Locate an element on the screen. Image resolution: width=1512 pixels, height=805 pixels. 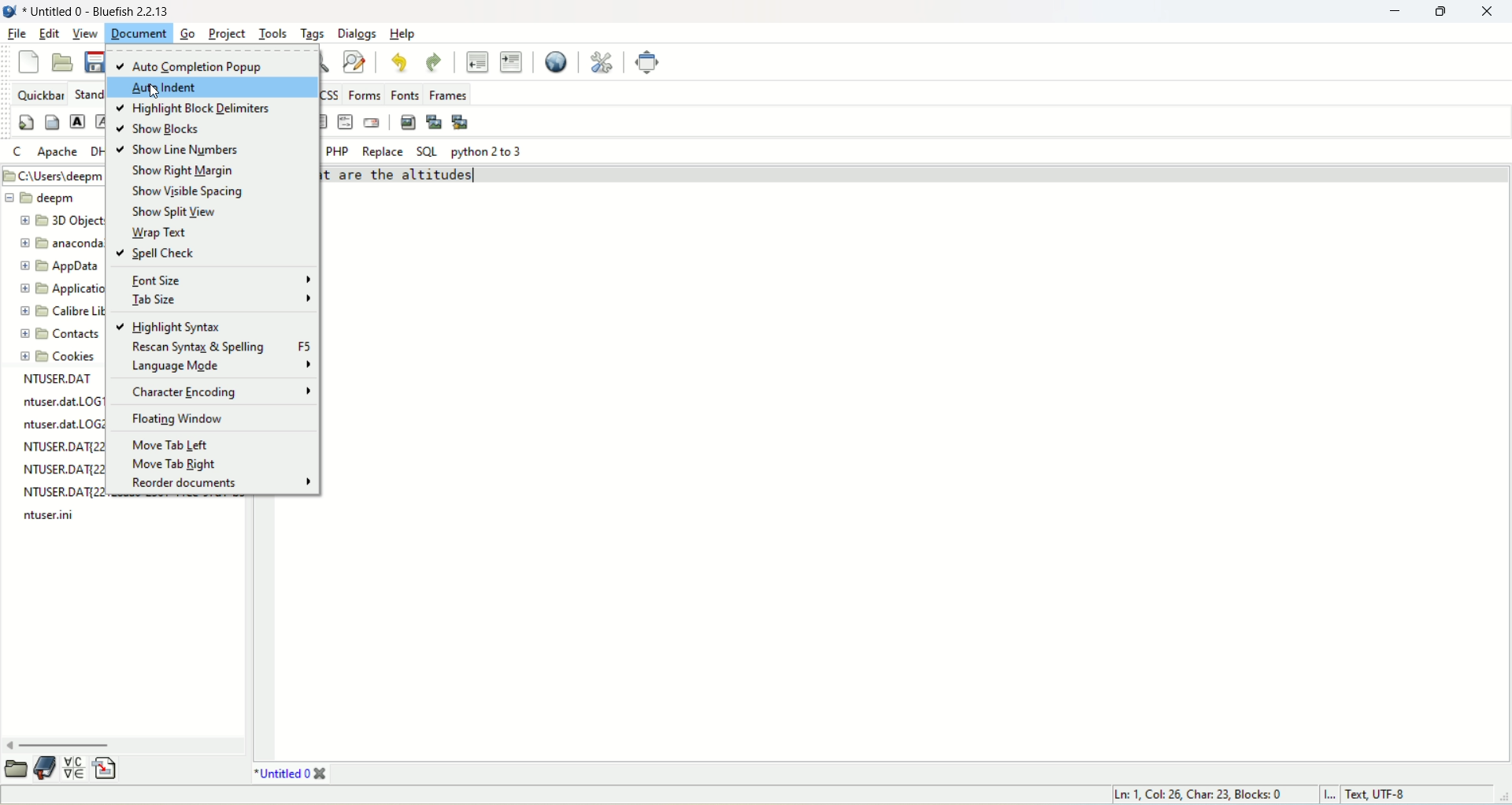
go is located at coordinates (191, 35).